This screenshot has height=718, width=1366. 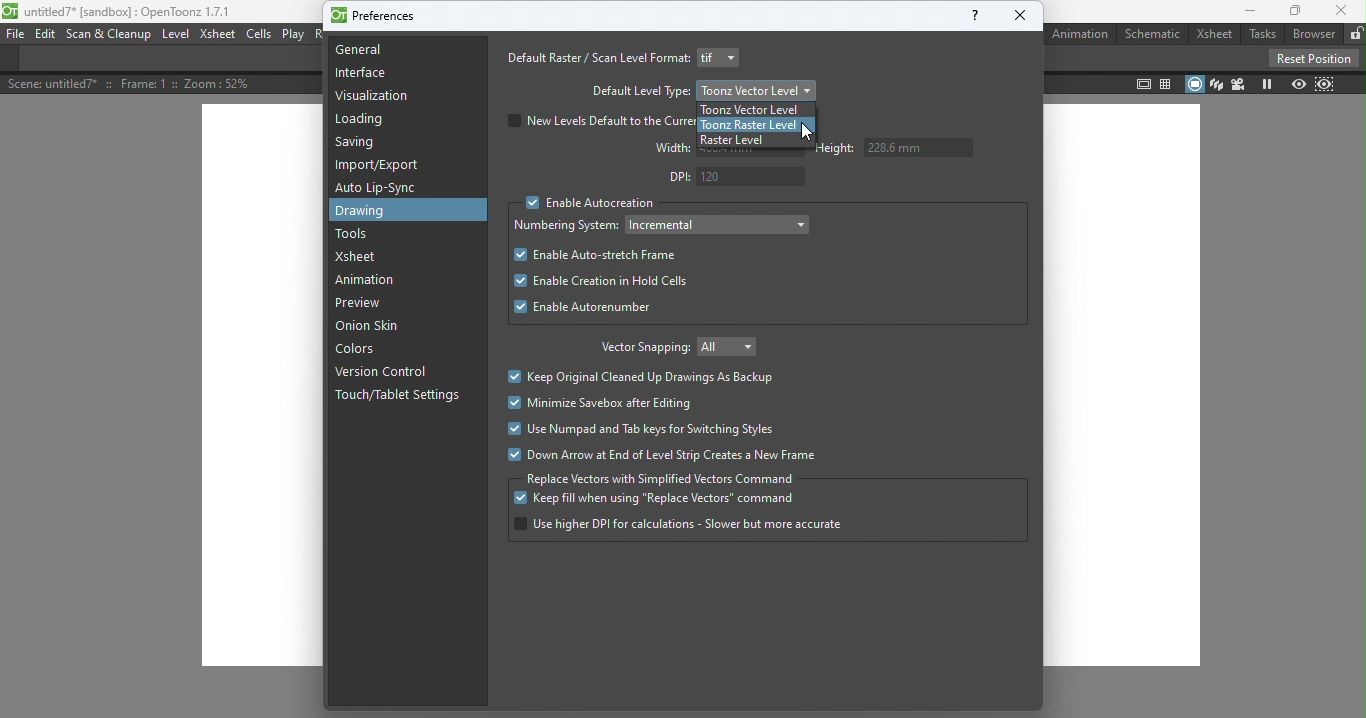 I want to click on Xsheet, so click(x=1214, y=35).